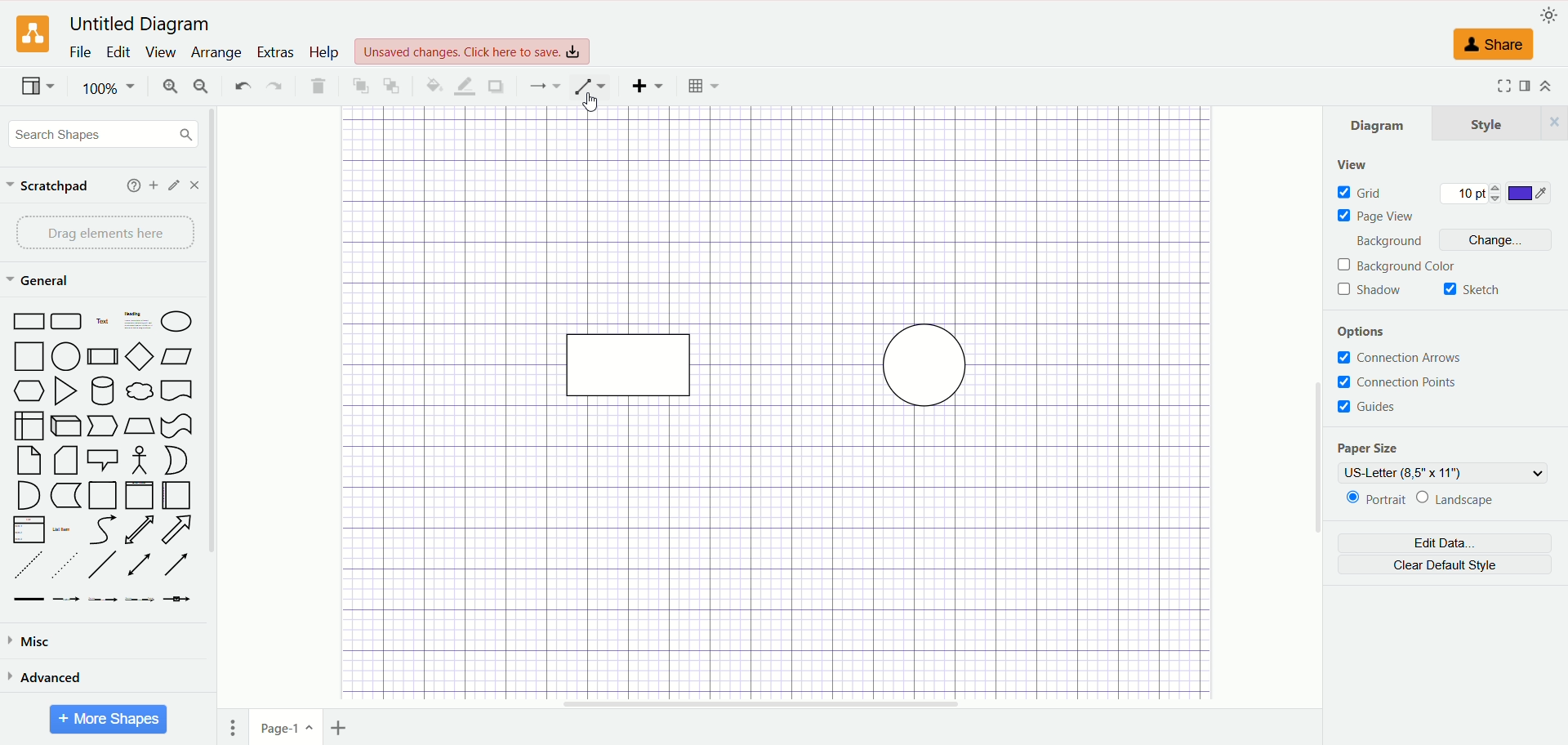  Describe the element at coordinates (100, 134) in the screenshot. I see `search shapes` at that location.